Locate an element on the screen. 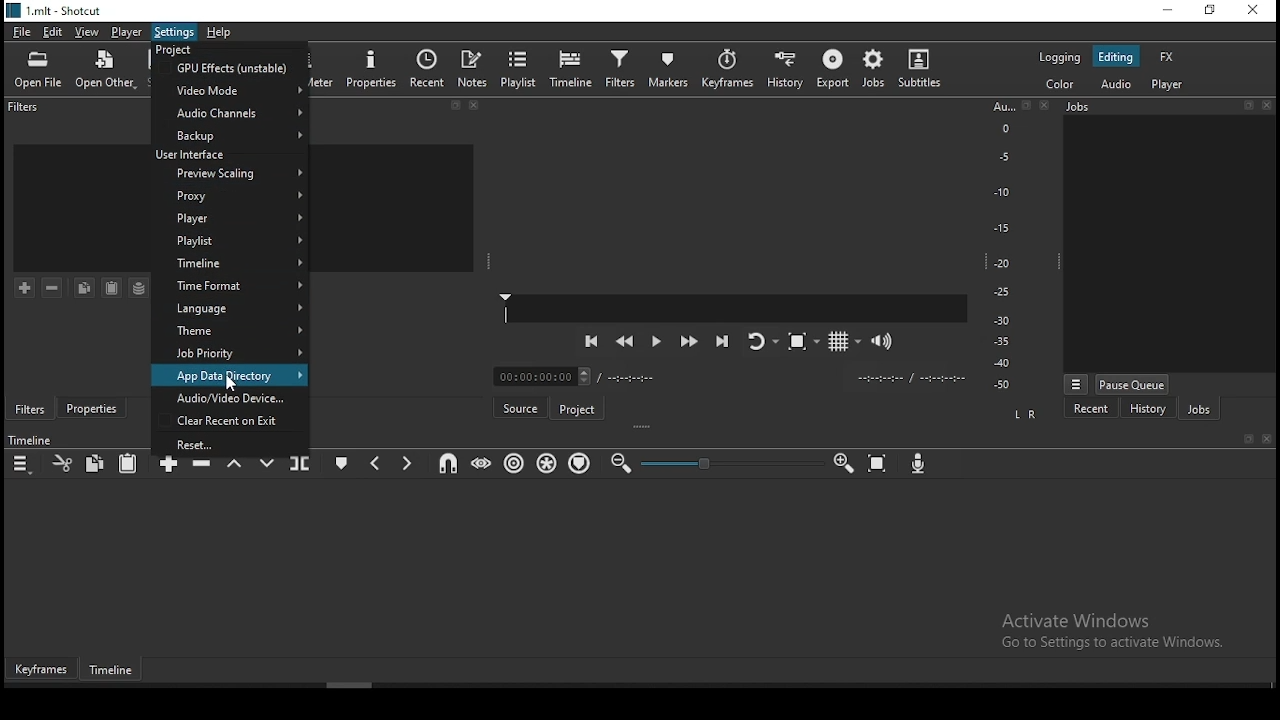 The image size is (1280, 720). Left and Right is located at coordinates (1028, 414).